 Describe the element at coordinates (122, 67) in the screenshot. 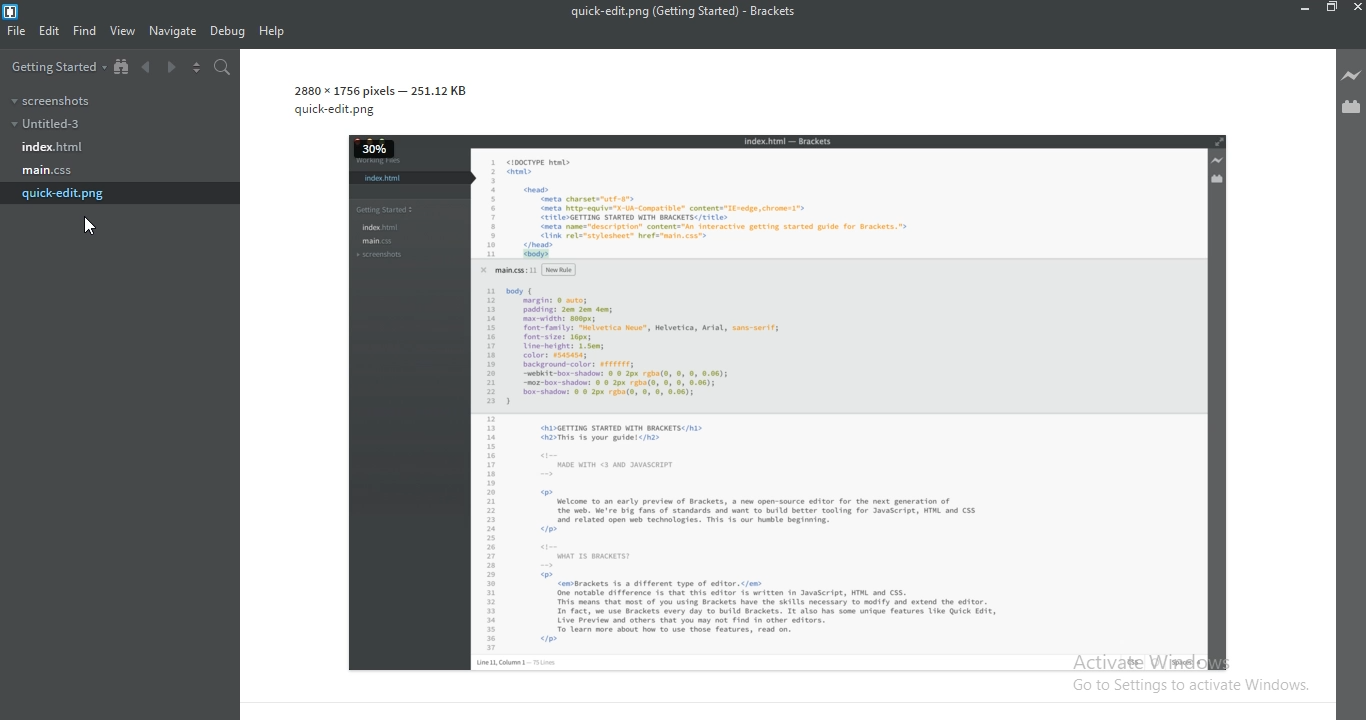

I see `show in file tree` at that location.